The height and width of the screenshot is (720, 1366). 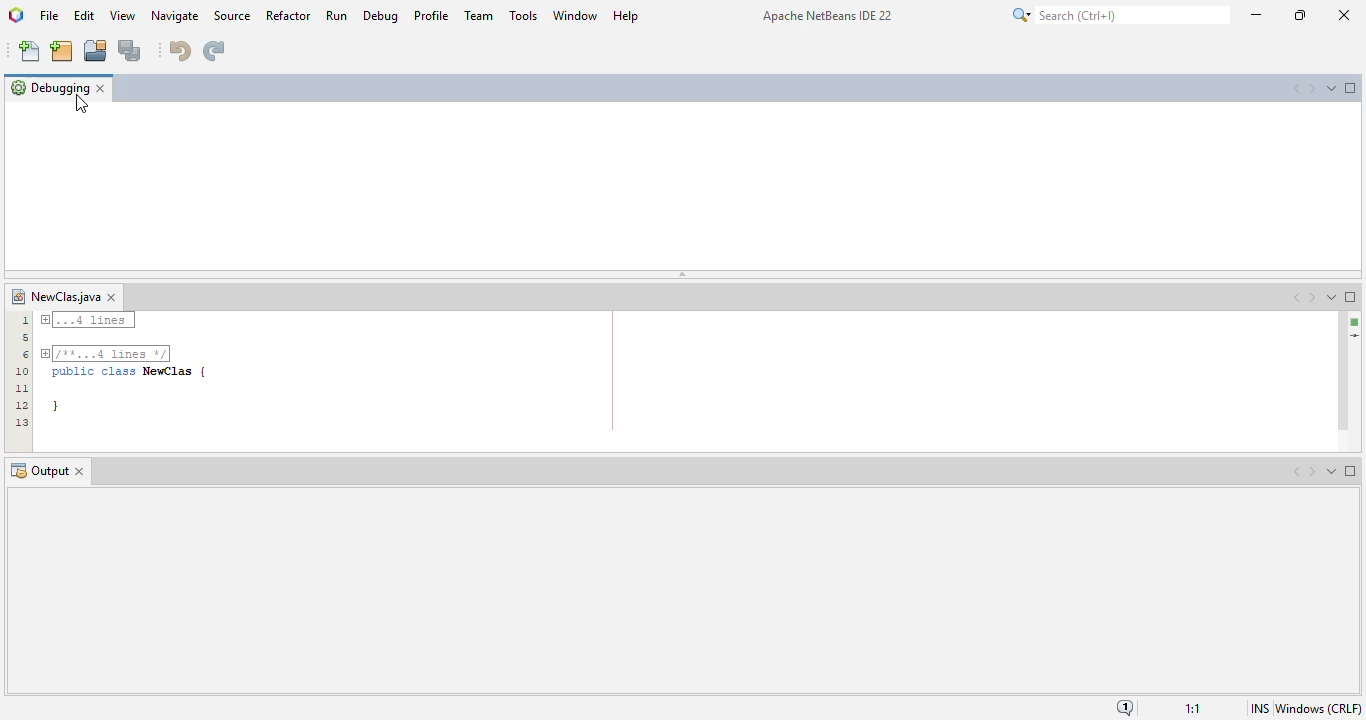 I want to click on cursor, so click(x=81, y=105).